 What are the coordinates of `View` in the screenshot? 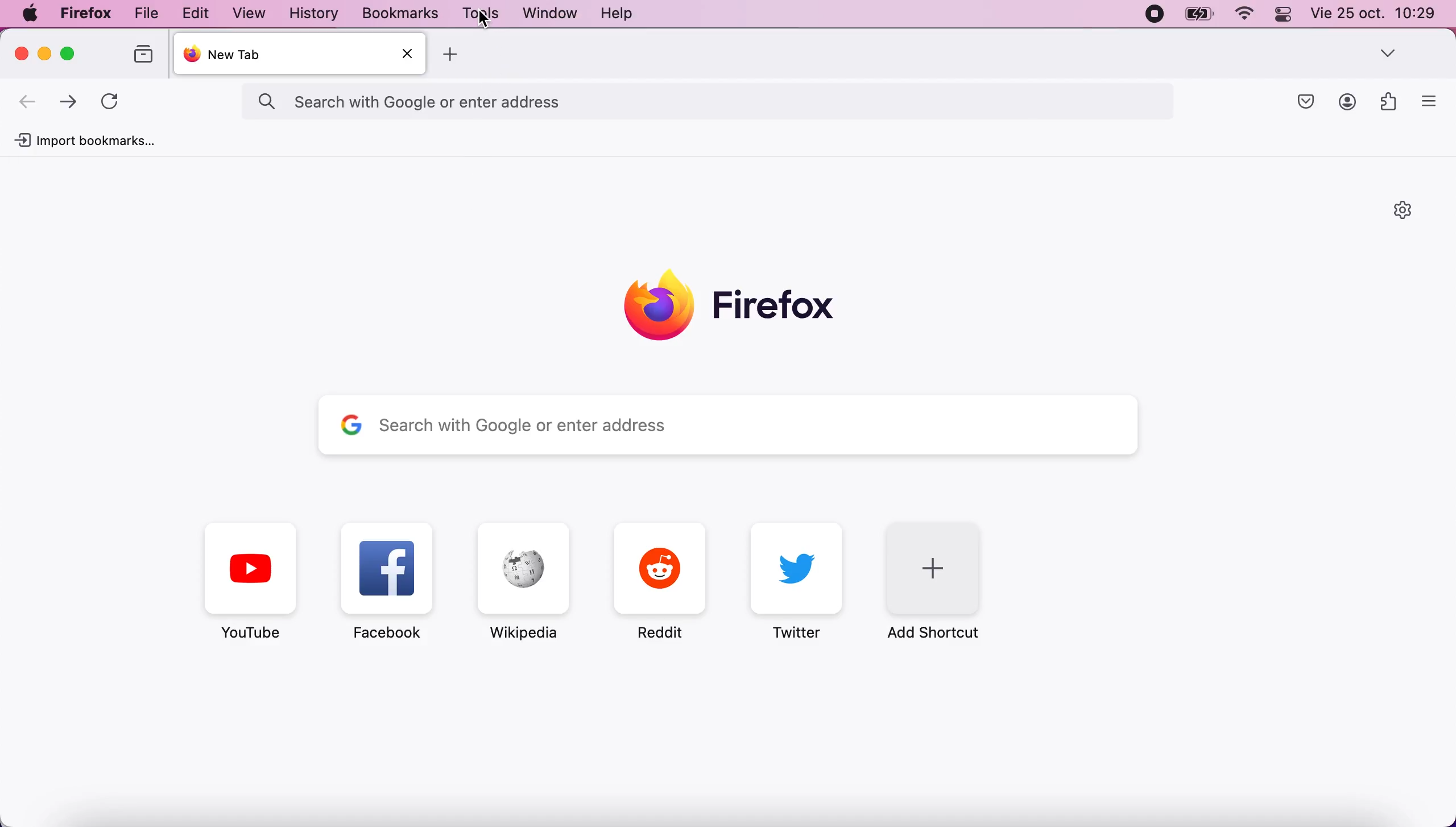 It's located at (251, 13).